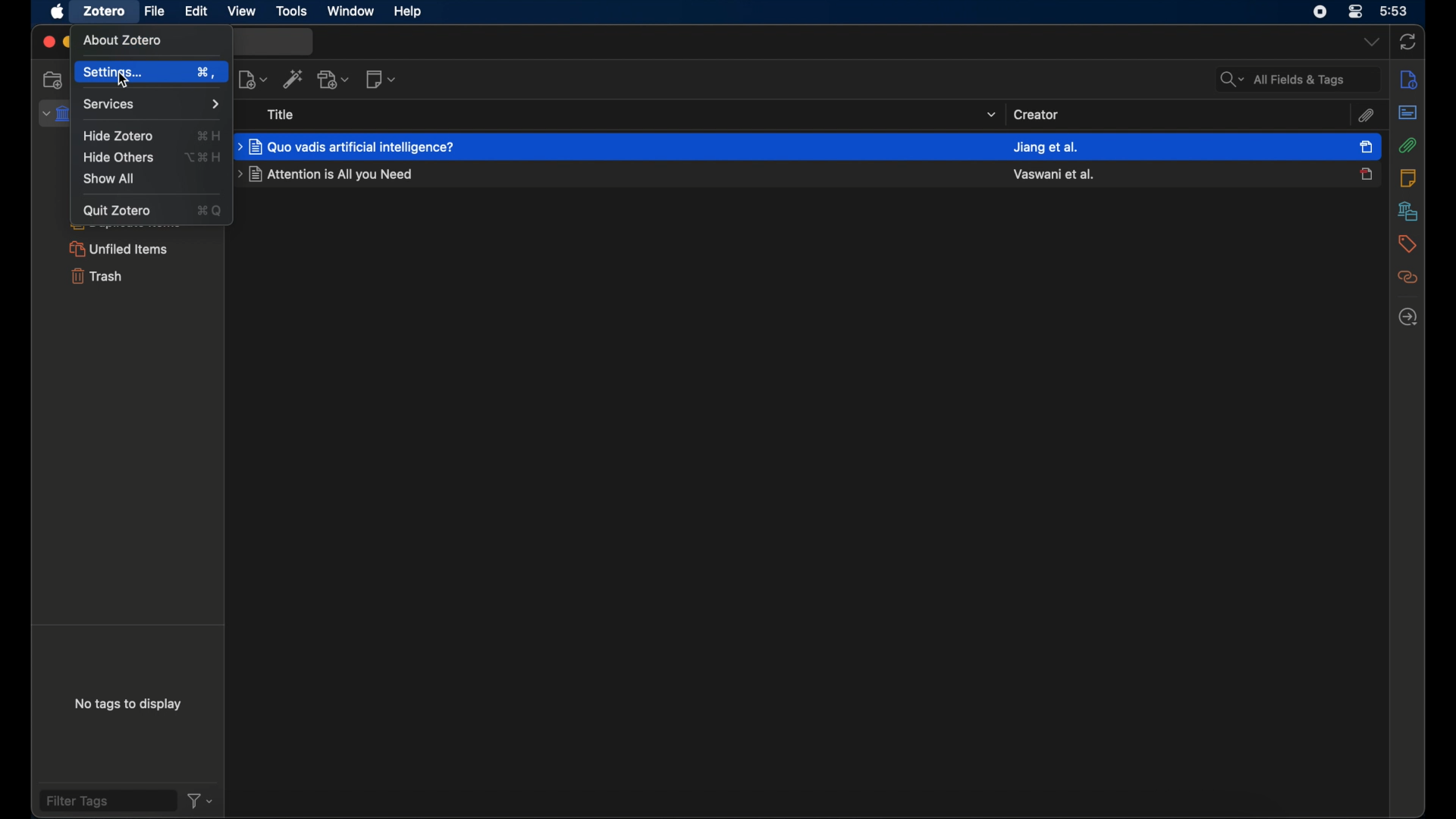  I want to click on filter dropdown menu, so click(200, 801).